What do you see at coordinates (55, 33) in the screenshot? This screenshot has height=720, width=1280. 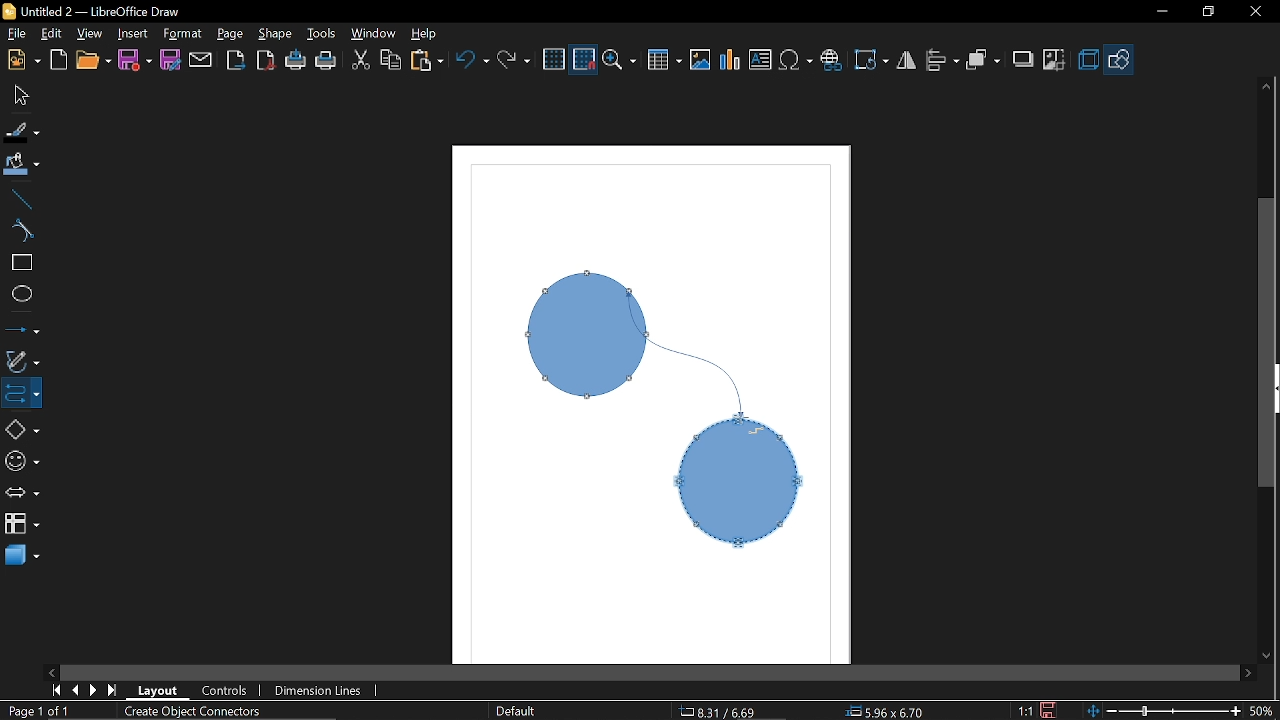 I see `edit` at bounding box center [55, 33].